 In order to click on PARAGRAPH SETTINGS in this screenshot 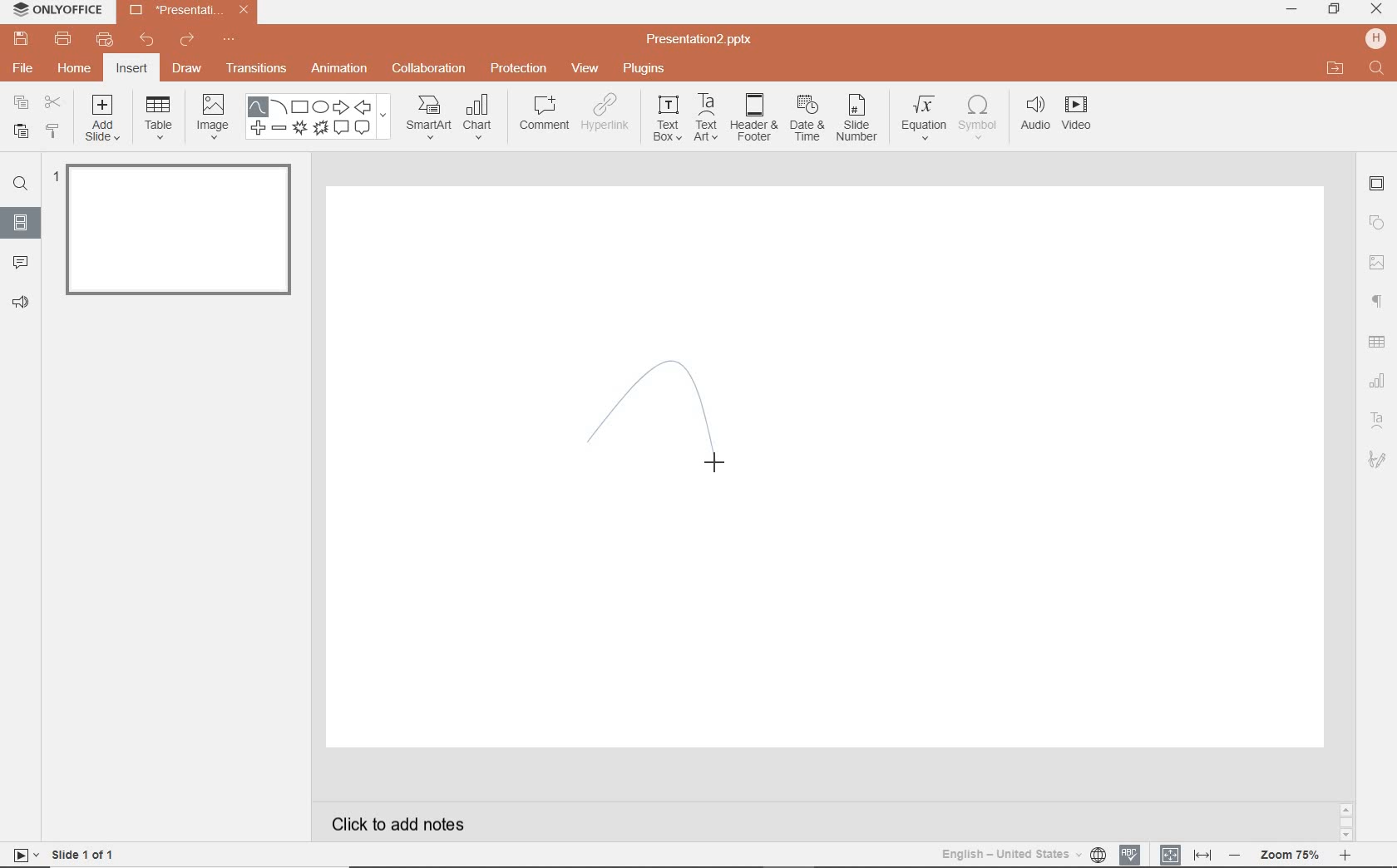, I will do `click(1375, 300)`.